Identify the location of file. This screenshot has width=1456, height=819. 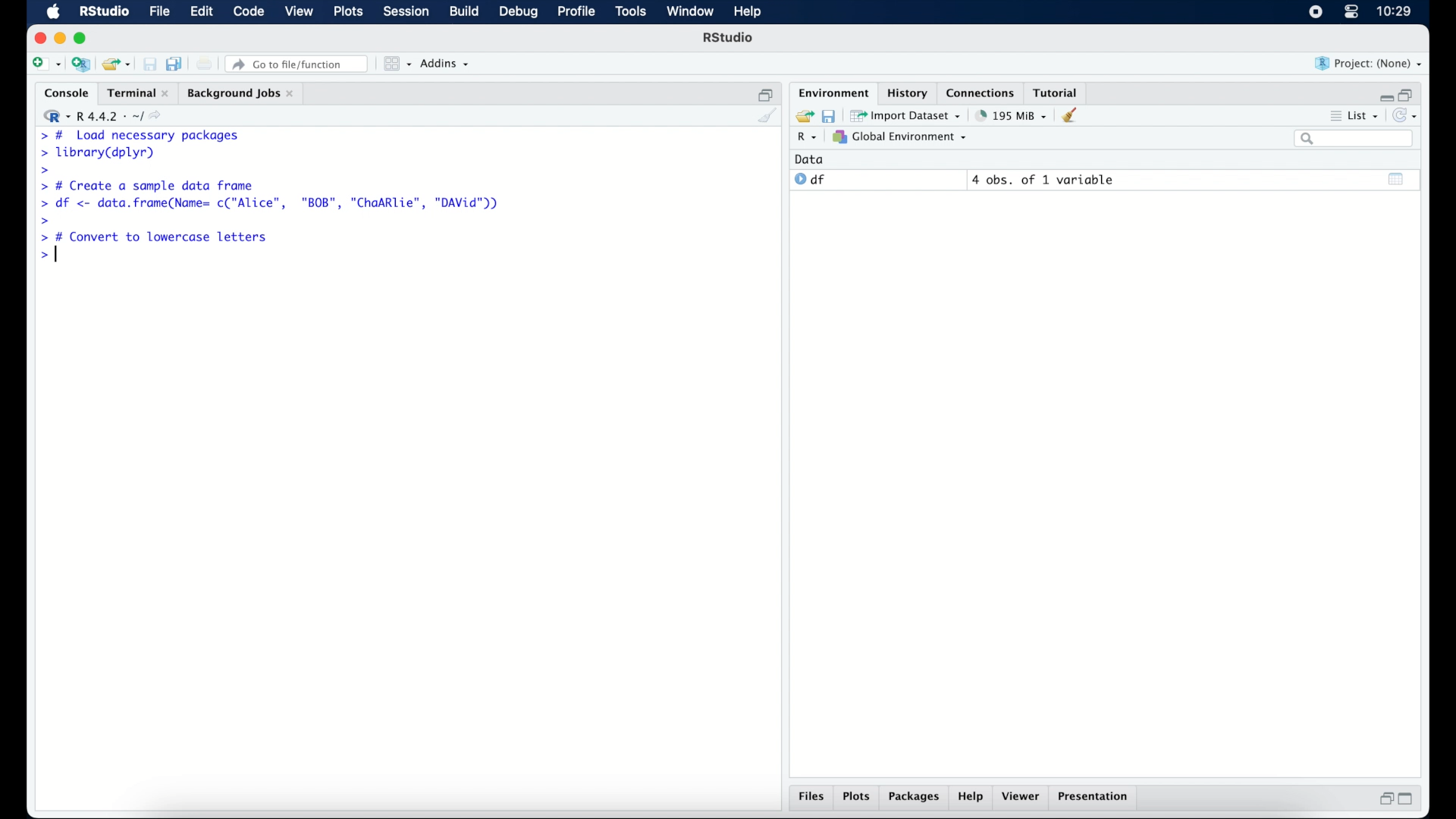
(158, 12).